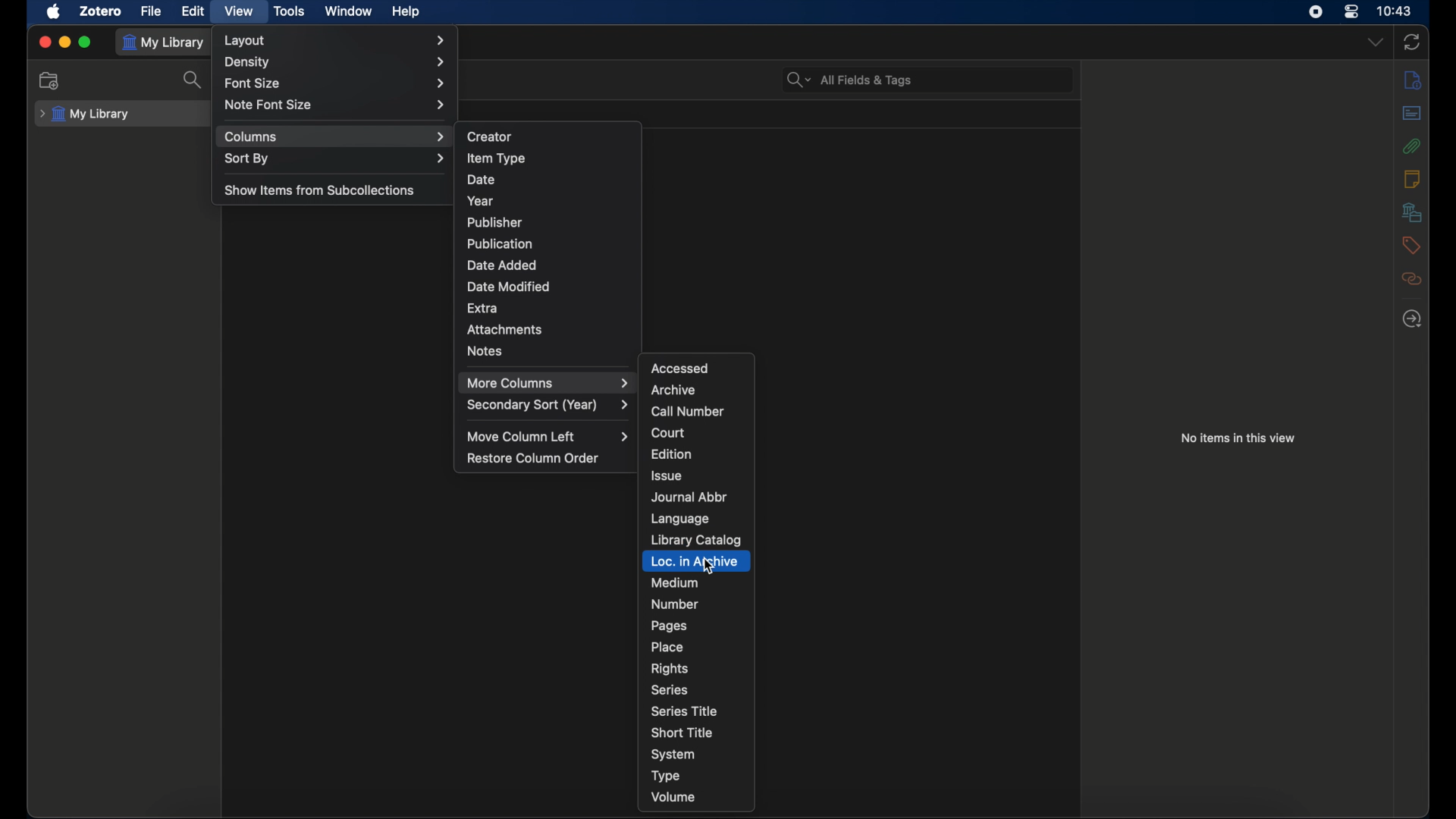 This screenshot has width=1456, height=819. I want to click on notes, so click(484, 351).